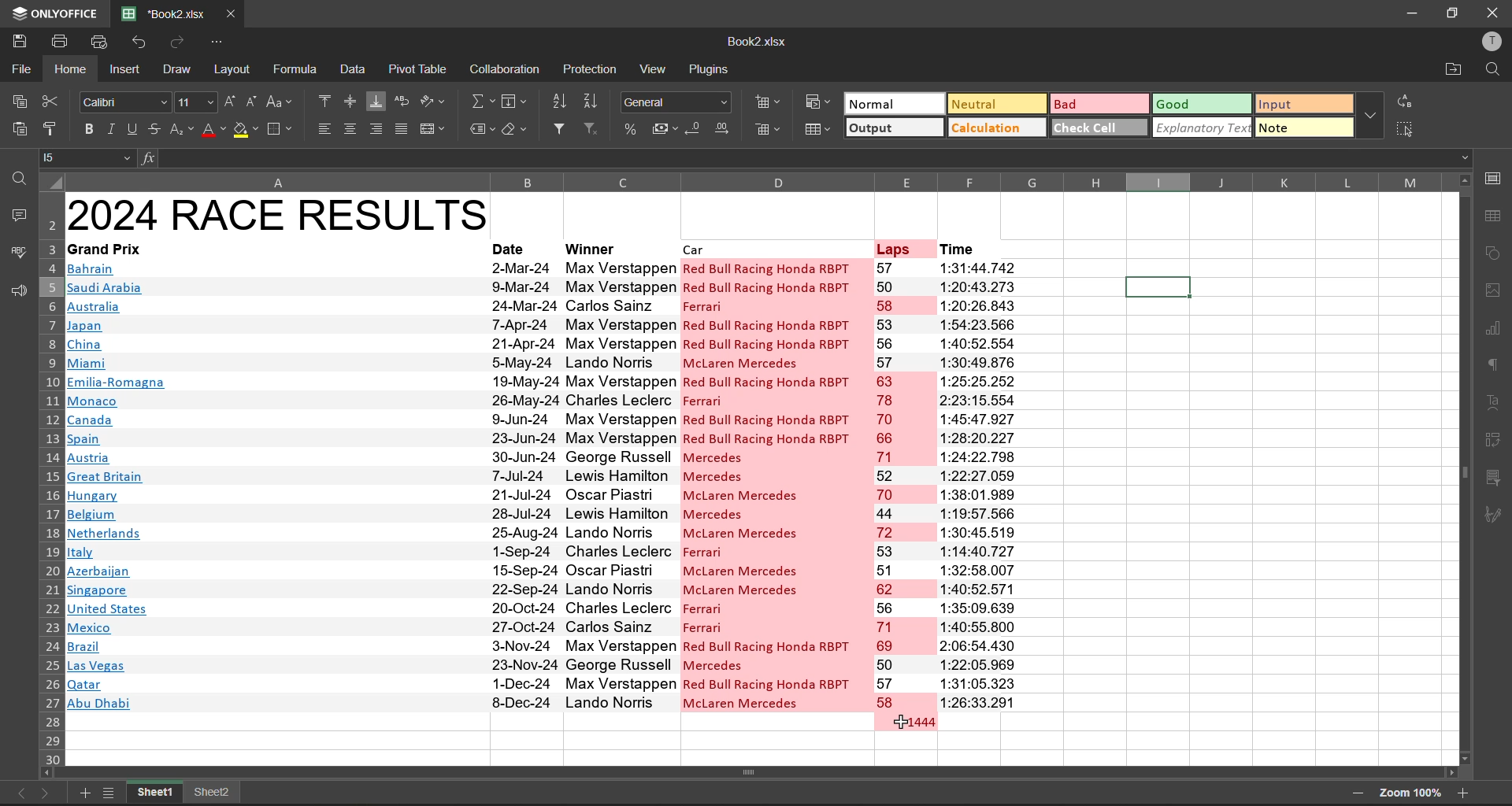 The width and height of the screenshot is (1512, 806). Describe the element at coordinates (183, 130) in the screenshot. I see `sub/superscript` at that location.